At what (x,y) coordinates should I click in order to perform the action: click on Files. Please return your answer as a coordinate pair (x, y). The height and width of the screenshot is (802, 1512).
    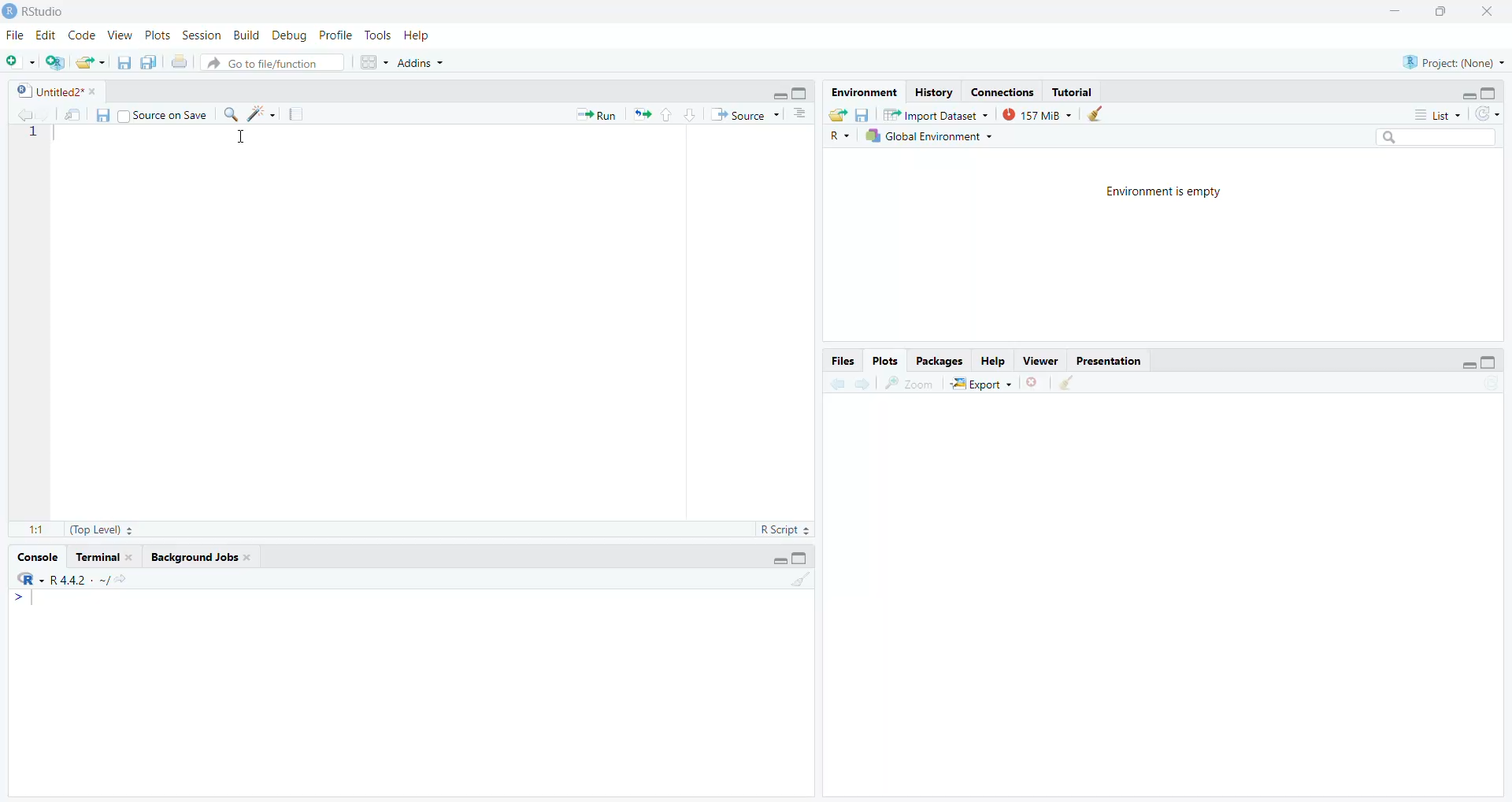
    Looking at the image, I should click on (843, 361).